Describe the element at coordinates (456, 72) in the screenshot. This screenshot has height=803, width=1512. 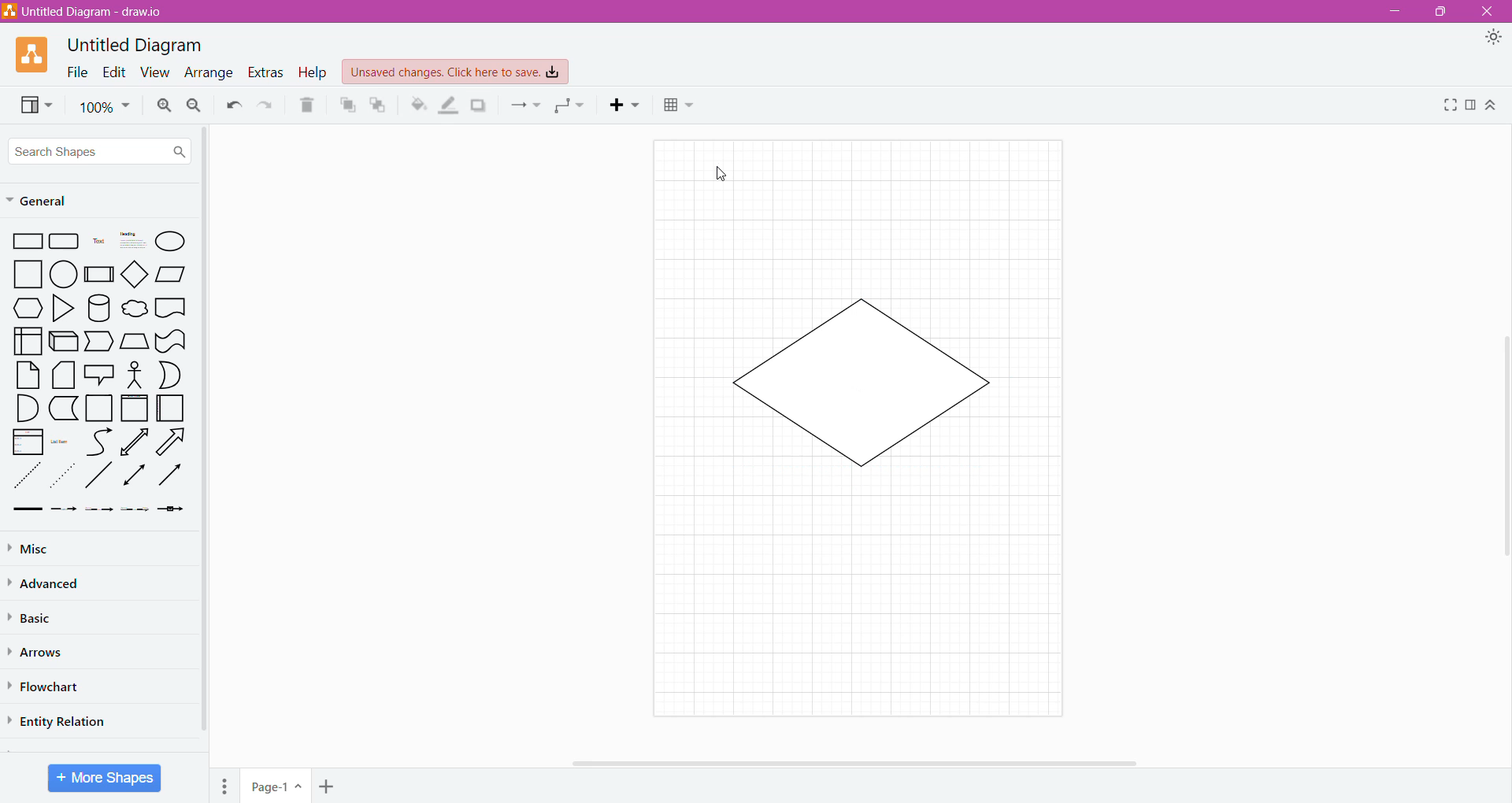
I see `Unsaved Changes. Click here to save` at that location.